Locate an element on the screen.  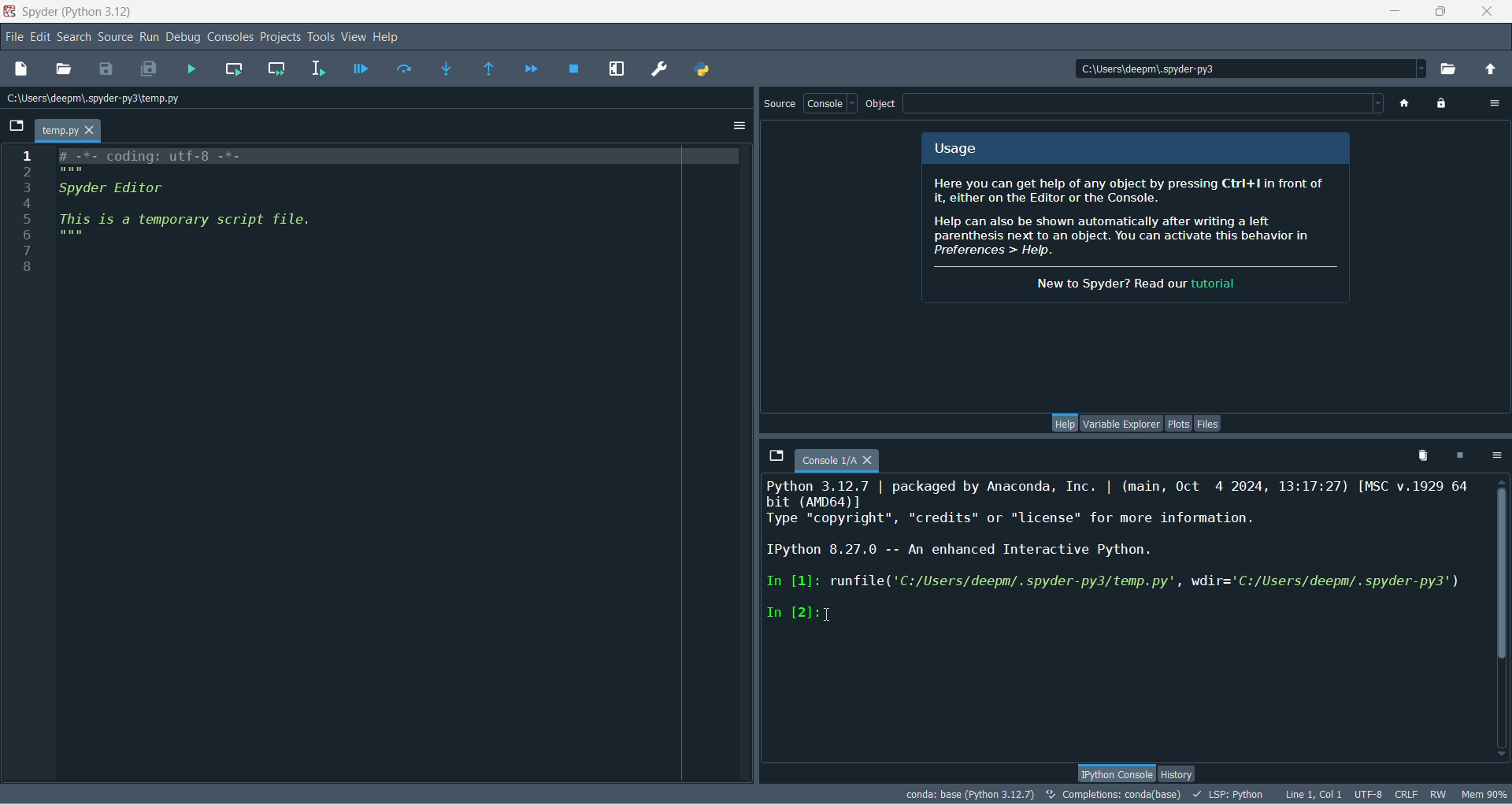
Spyder is located at coordinates (83, 13).